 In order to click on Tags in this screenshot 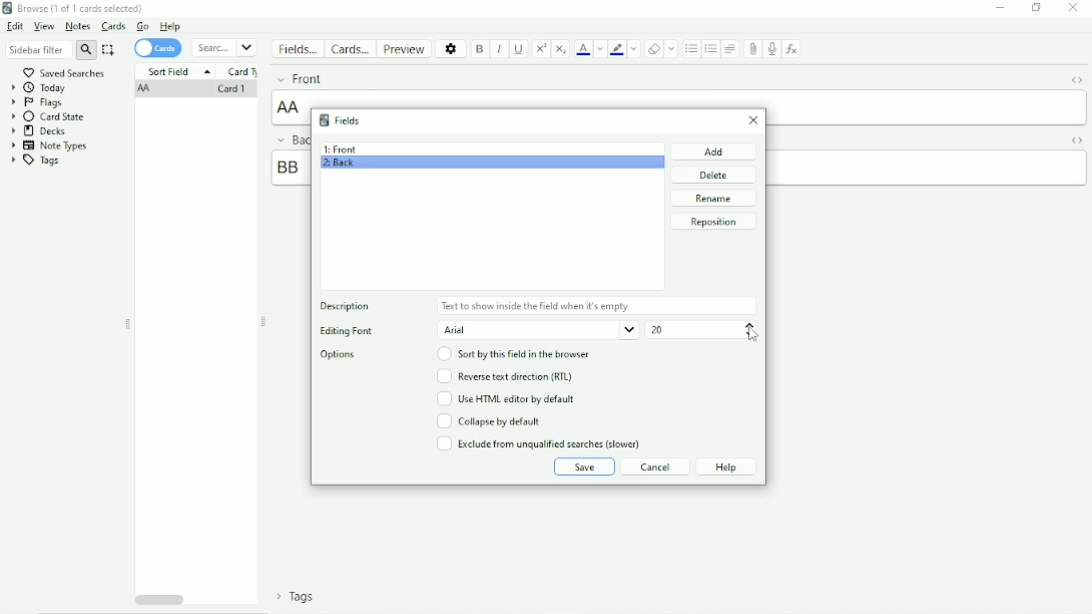, I will do `click(296, 596)`.